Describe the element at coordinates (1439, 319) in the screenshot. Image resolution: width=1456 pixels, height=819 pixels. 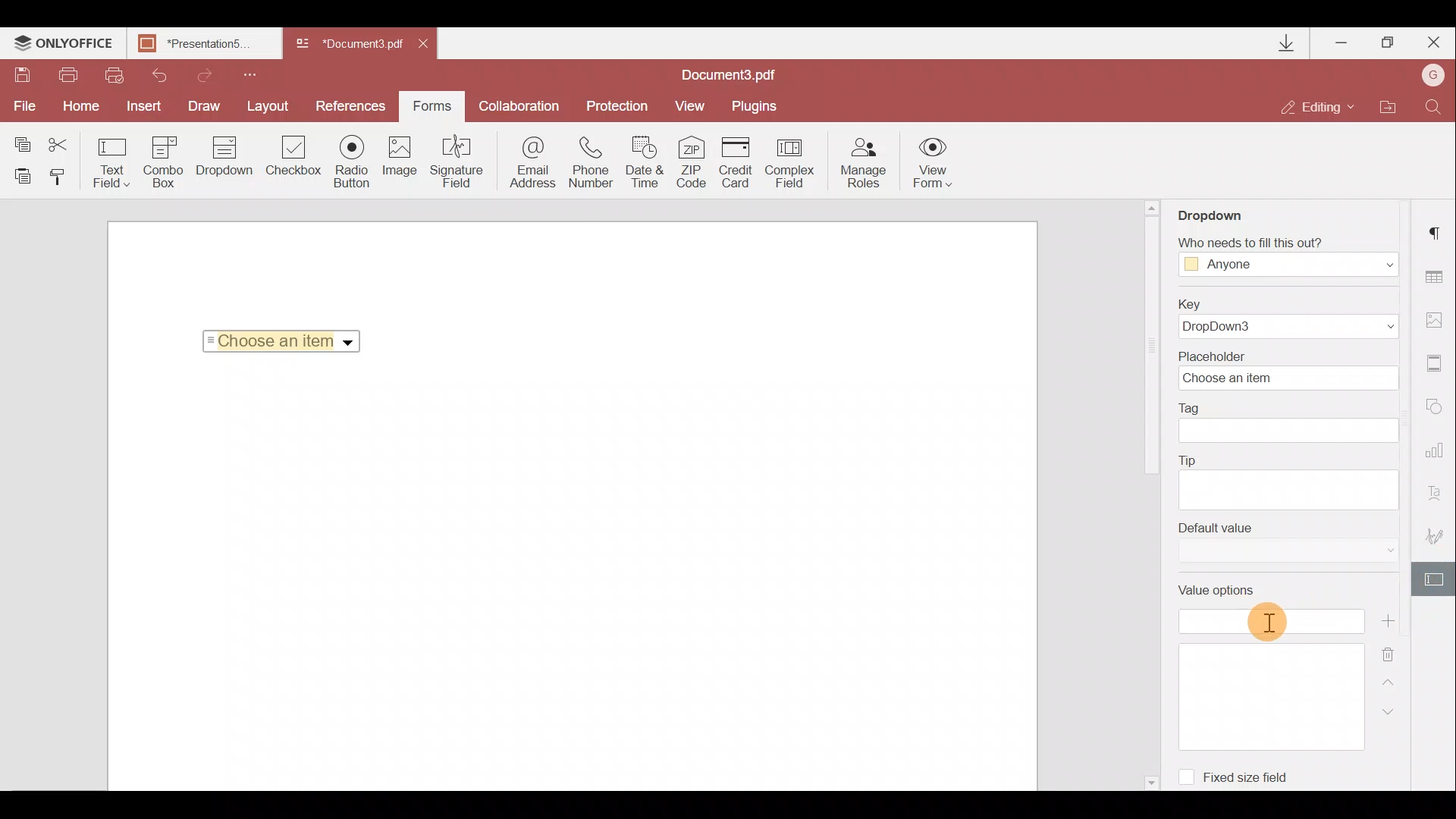
I see `Image settings` at that location.